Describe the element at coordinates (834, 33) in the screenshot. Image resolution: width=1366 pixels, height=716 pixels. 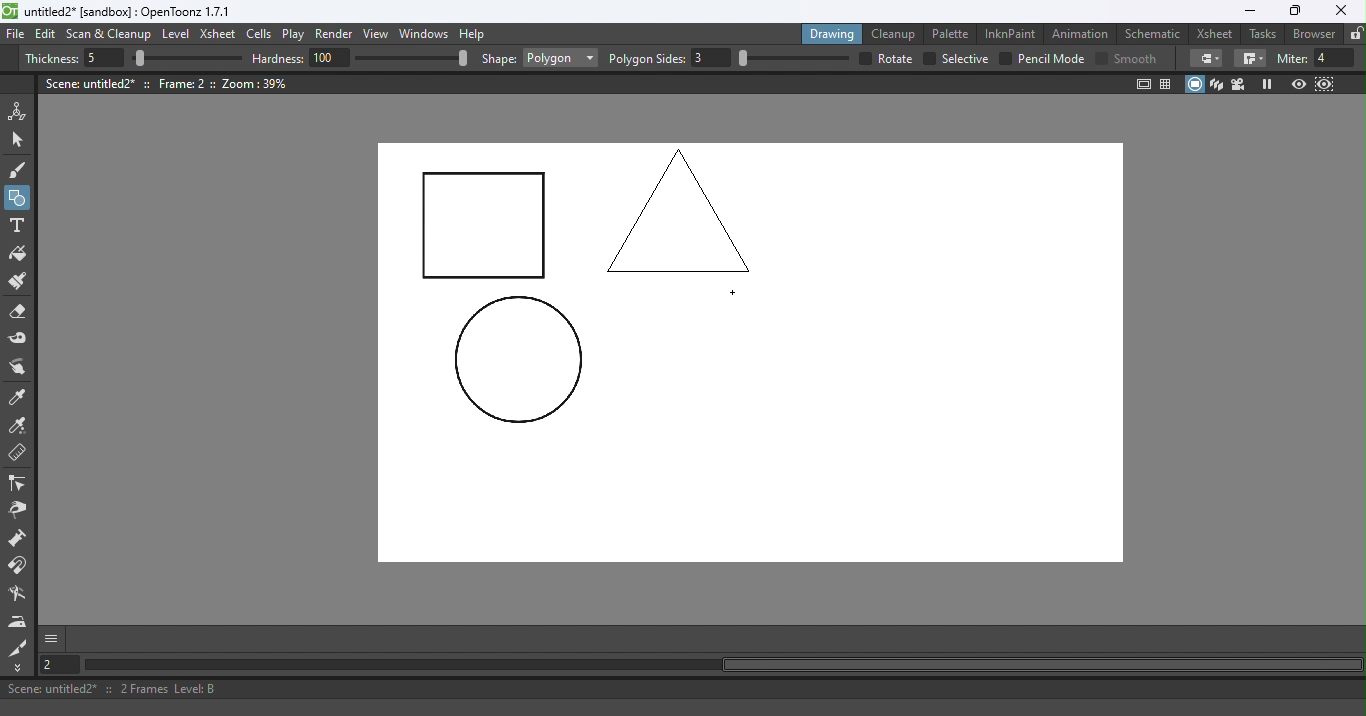
I see `Drawing` at that location.